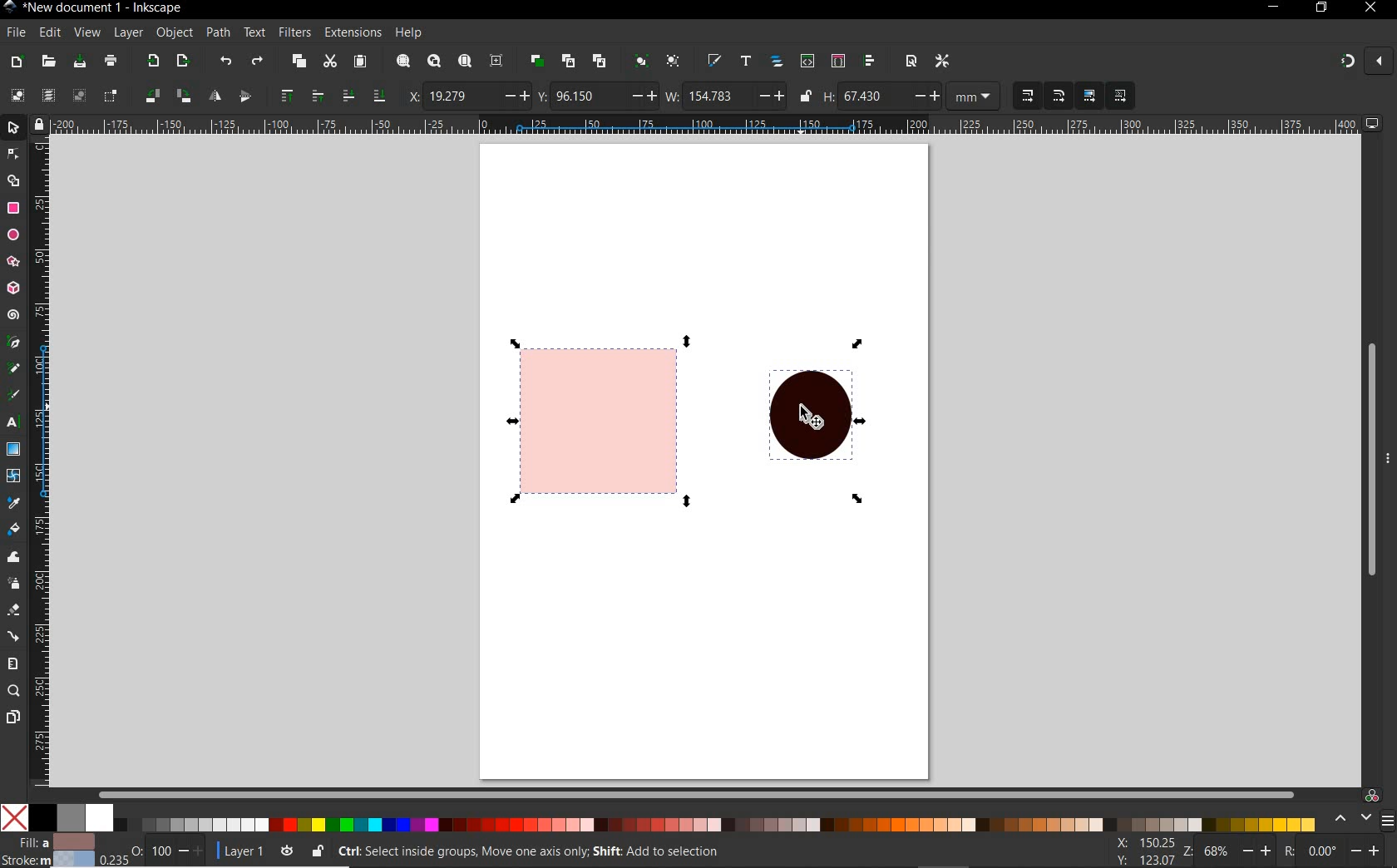 This screenshot has height=868, width=1397. I want to click on open export, so click(183, 61).